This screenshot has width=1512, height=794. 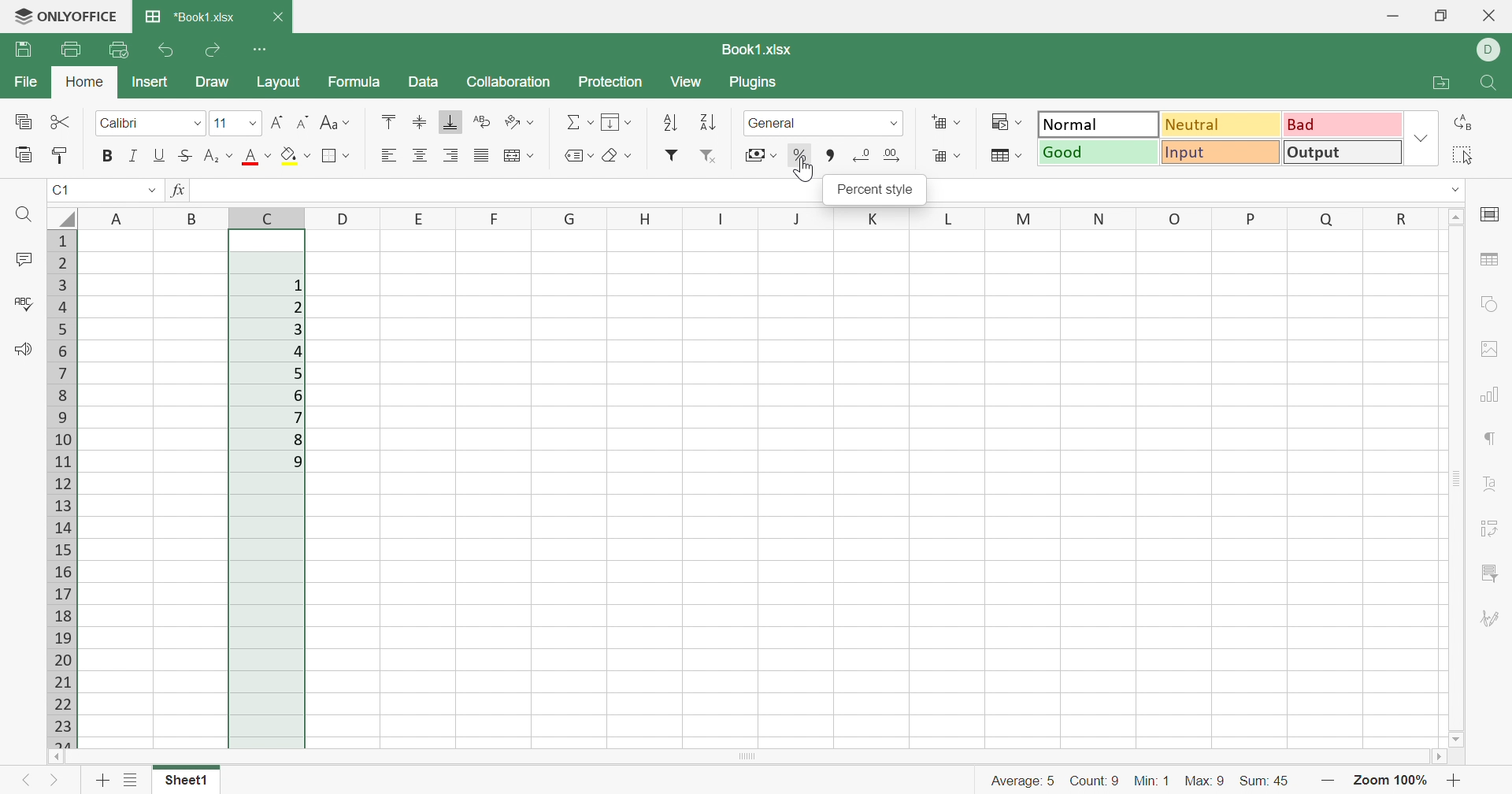 What do you see at coordinates (416, 219) in the screenshot?
I see `E` at bounding box center [416, 219].